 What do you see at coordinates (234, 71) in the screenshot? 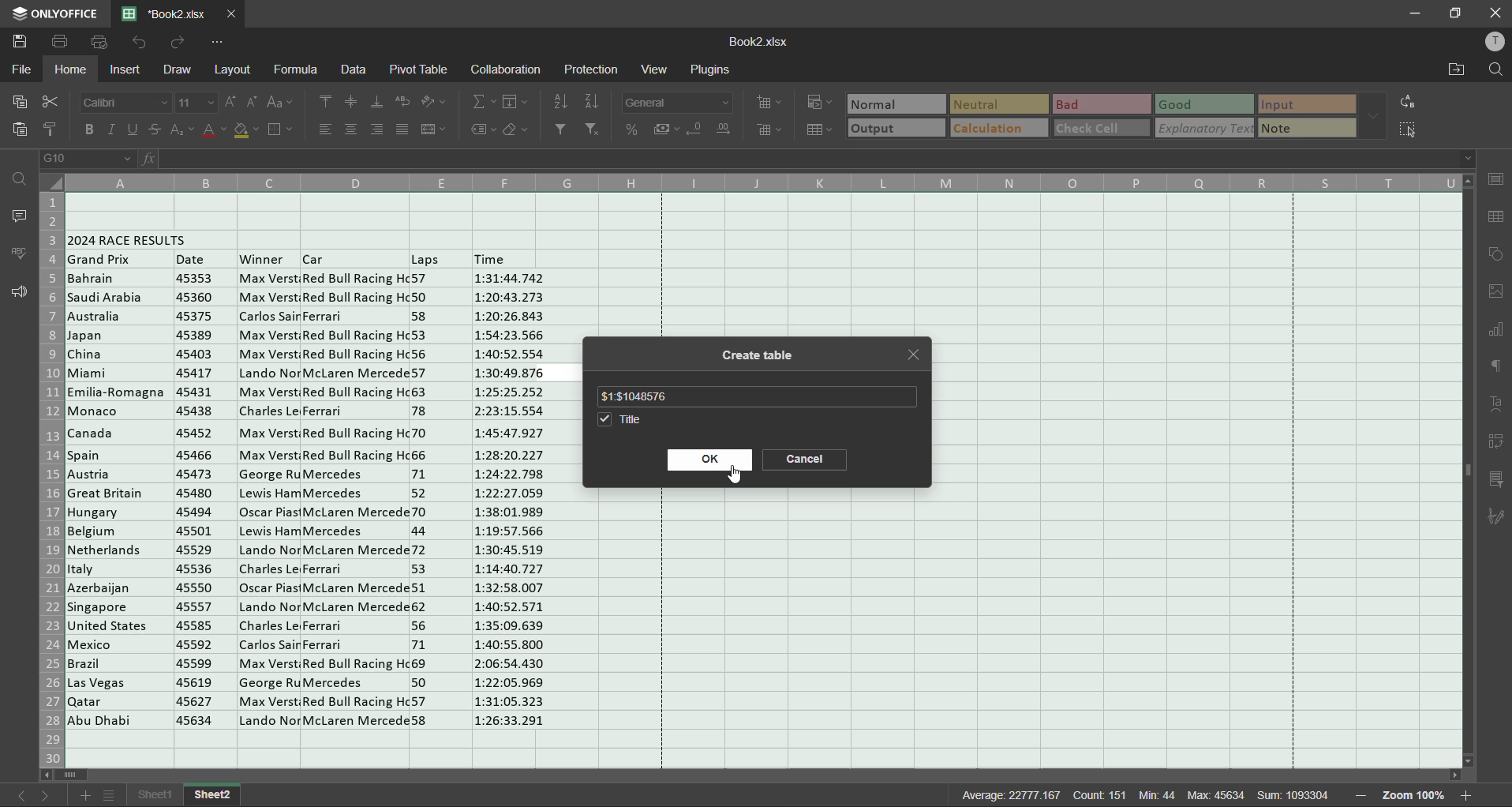
I see `layout` at bounding box center [234, 71].